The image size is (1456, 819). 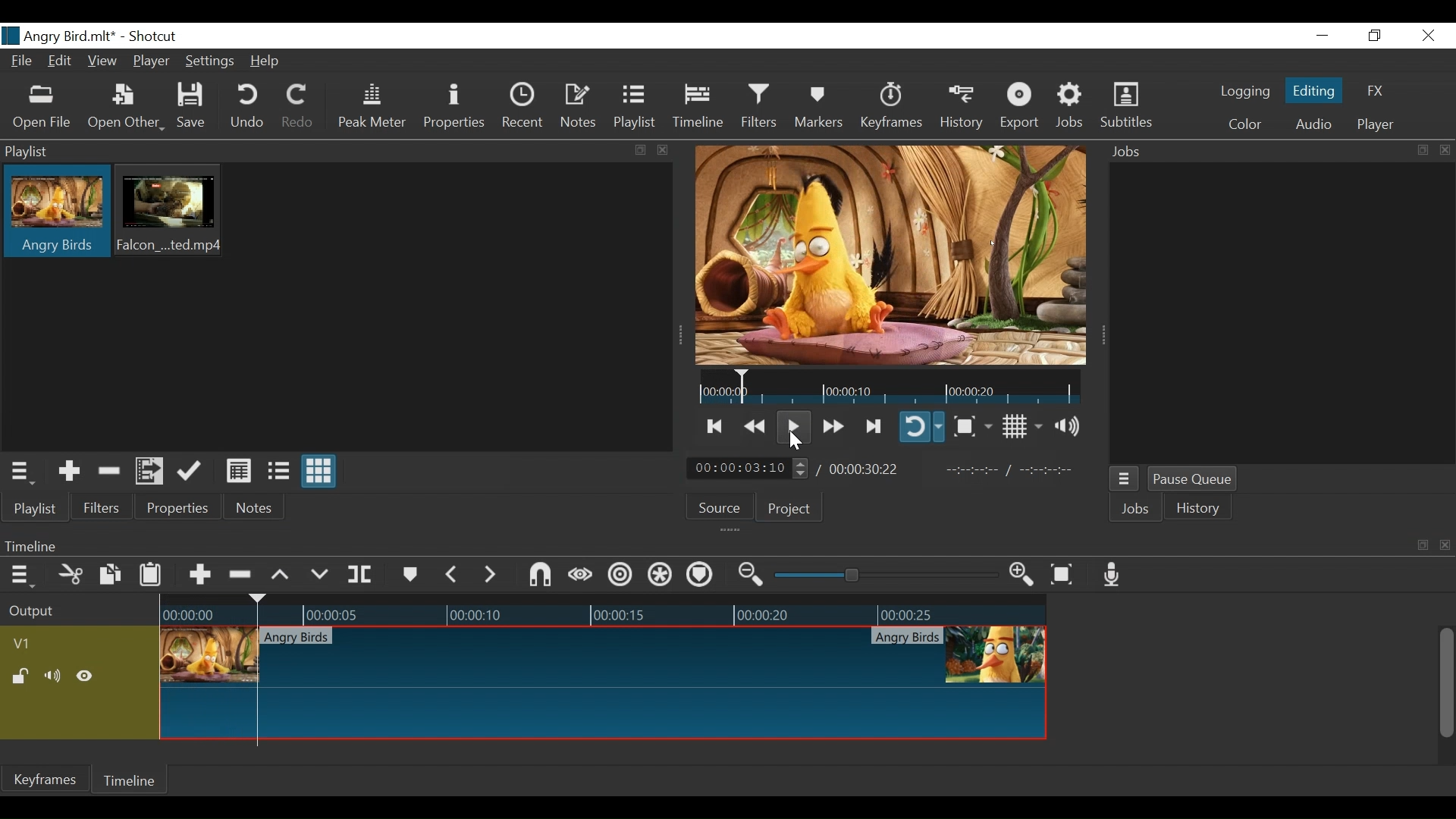 I want to click on Mute, so click(x=54, y=678).